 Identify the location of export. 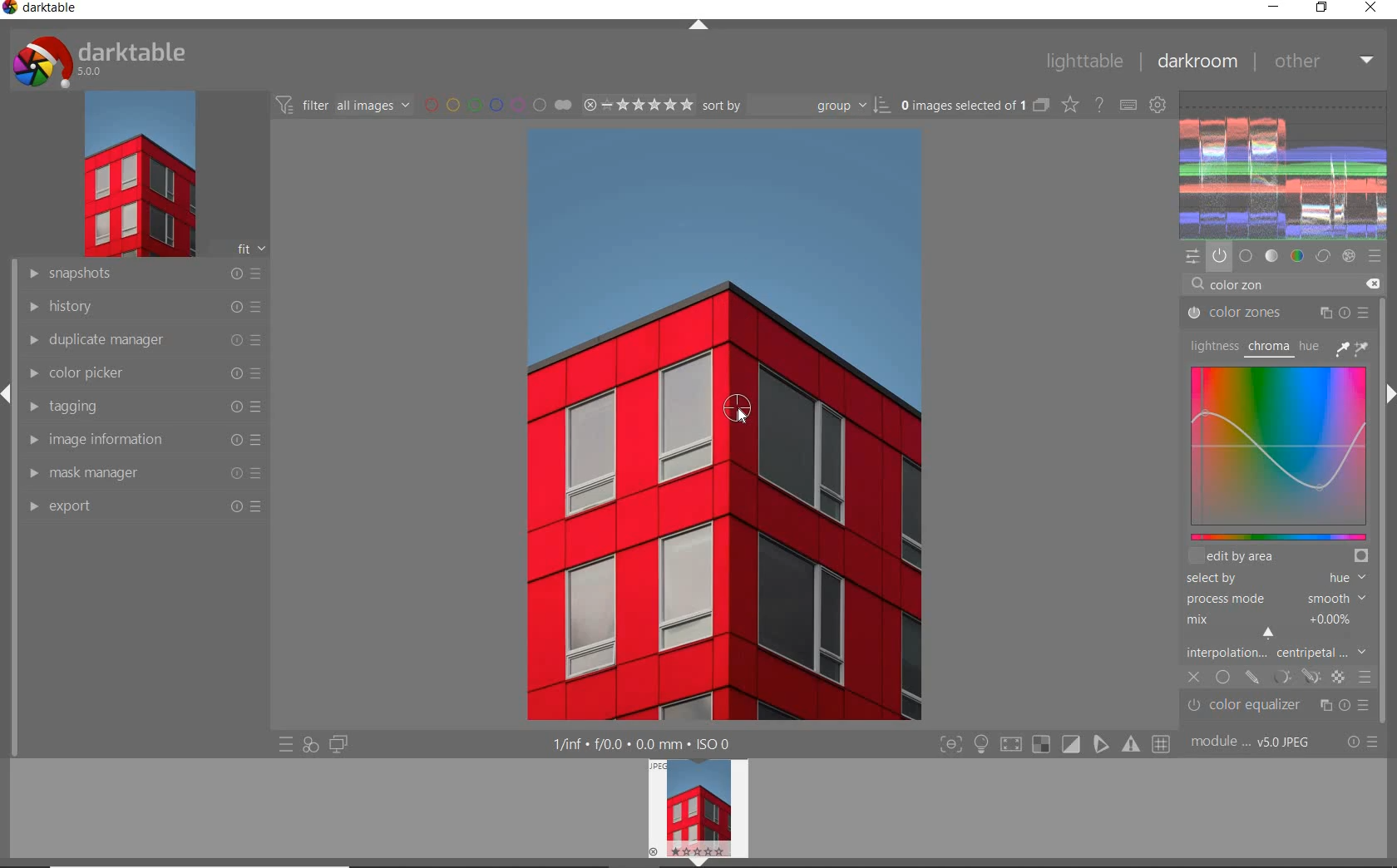
(146, 507).